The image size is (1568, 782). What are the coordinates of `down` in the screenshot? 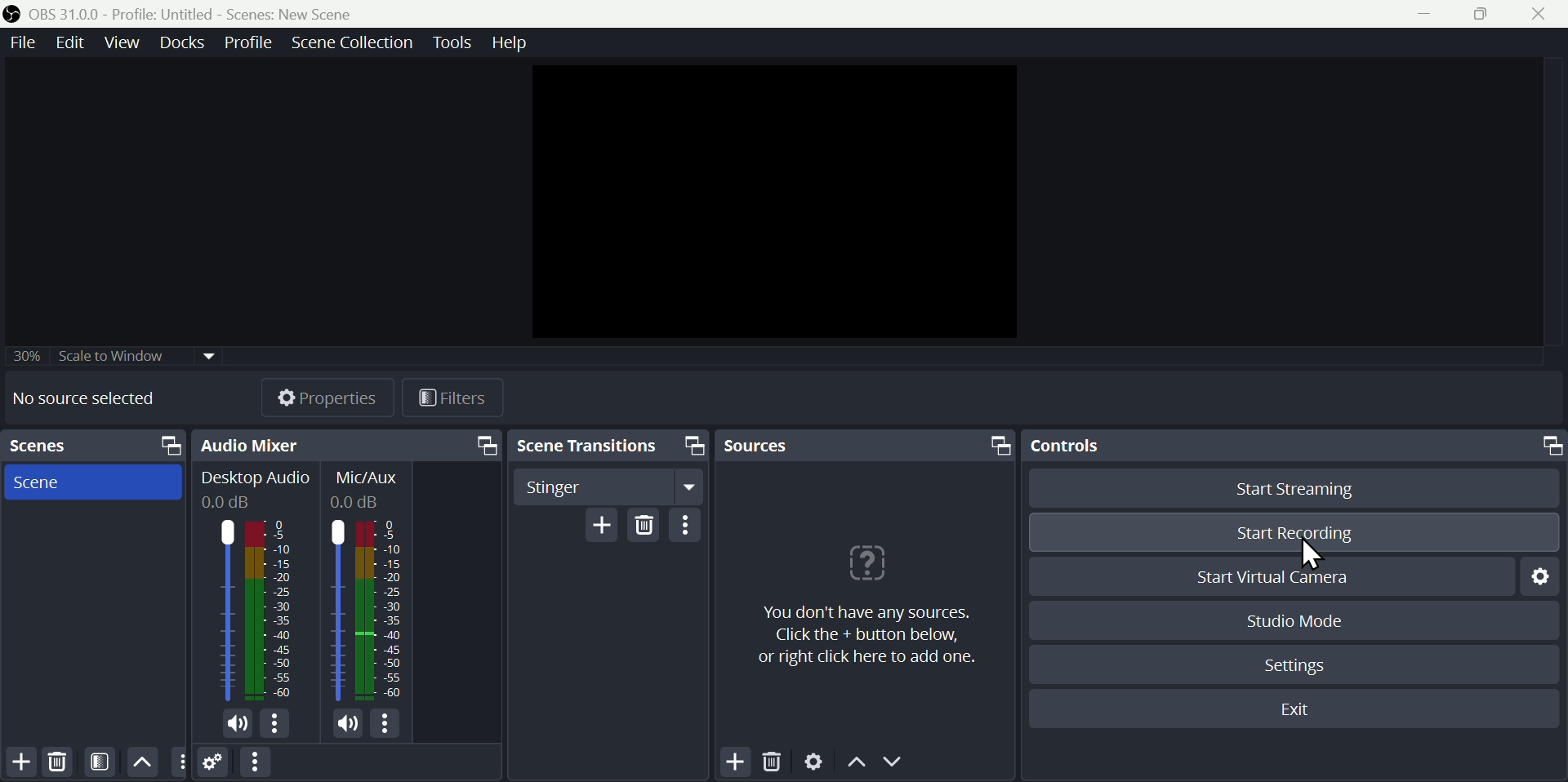 It's located at (895, 762).